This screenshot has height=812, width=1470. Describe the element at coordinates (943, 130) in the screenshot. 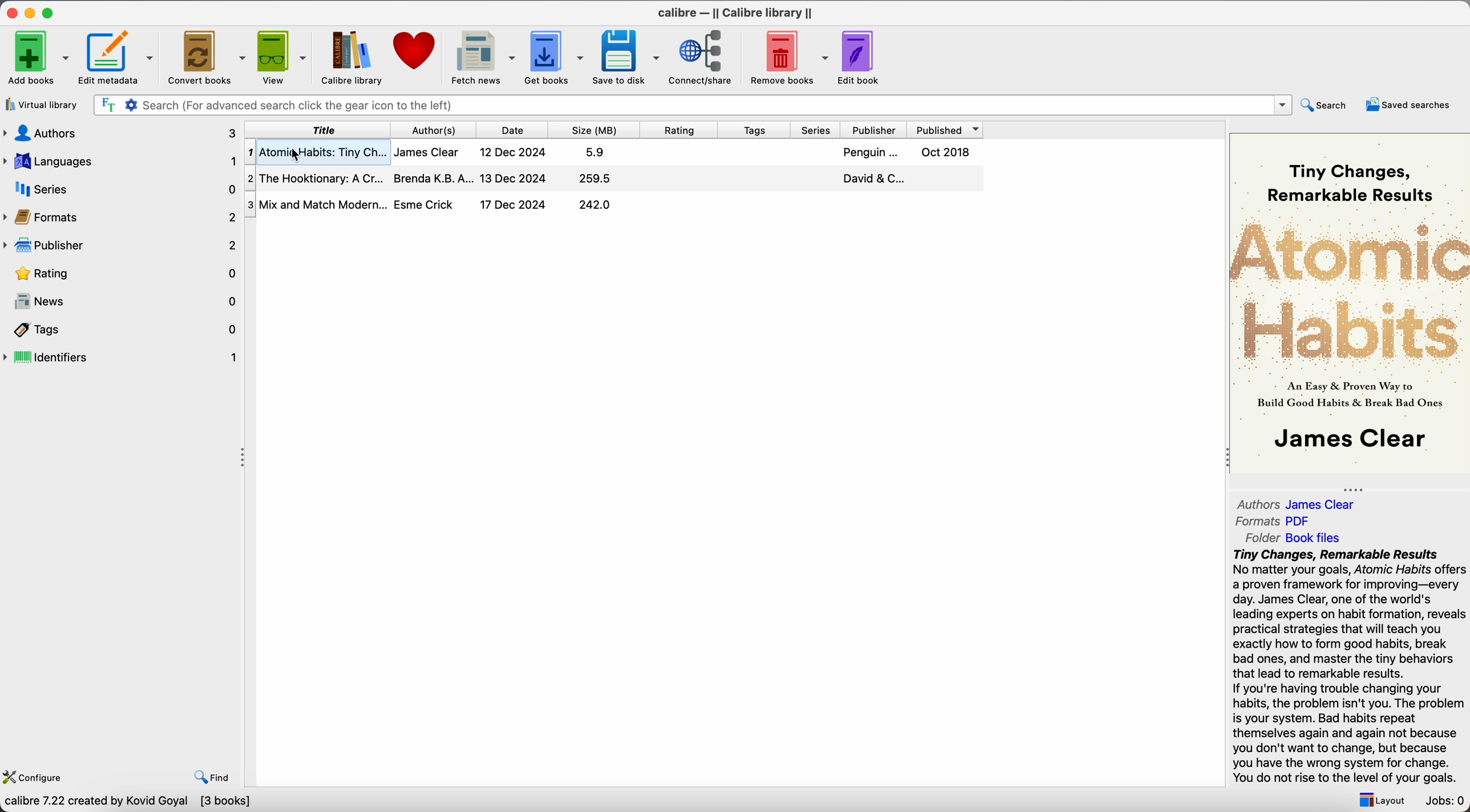

I see `published` at that location.